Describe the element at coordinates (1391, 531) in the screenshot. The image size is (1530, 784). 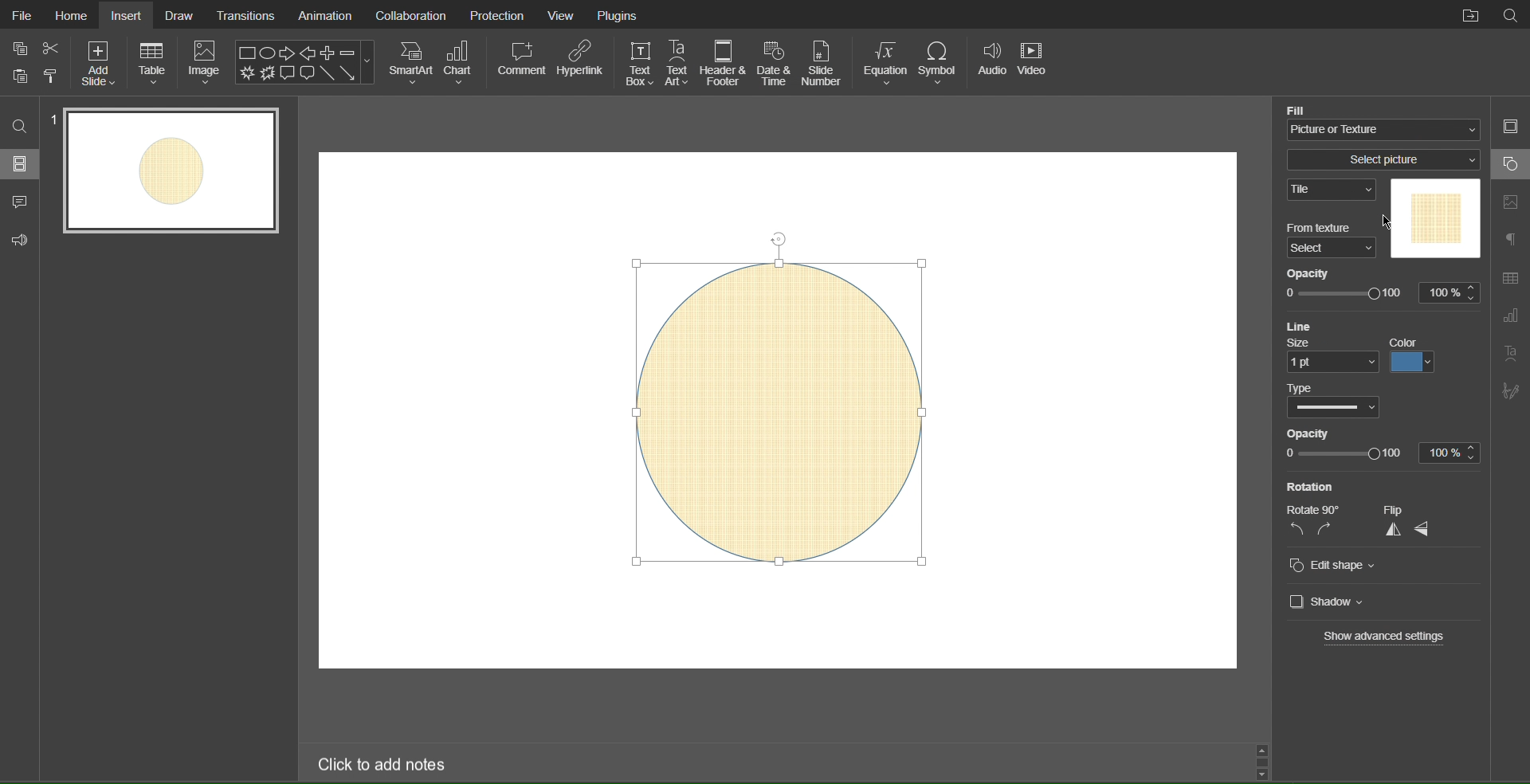
I see `flip up` at that location.